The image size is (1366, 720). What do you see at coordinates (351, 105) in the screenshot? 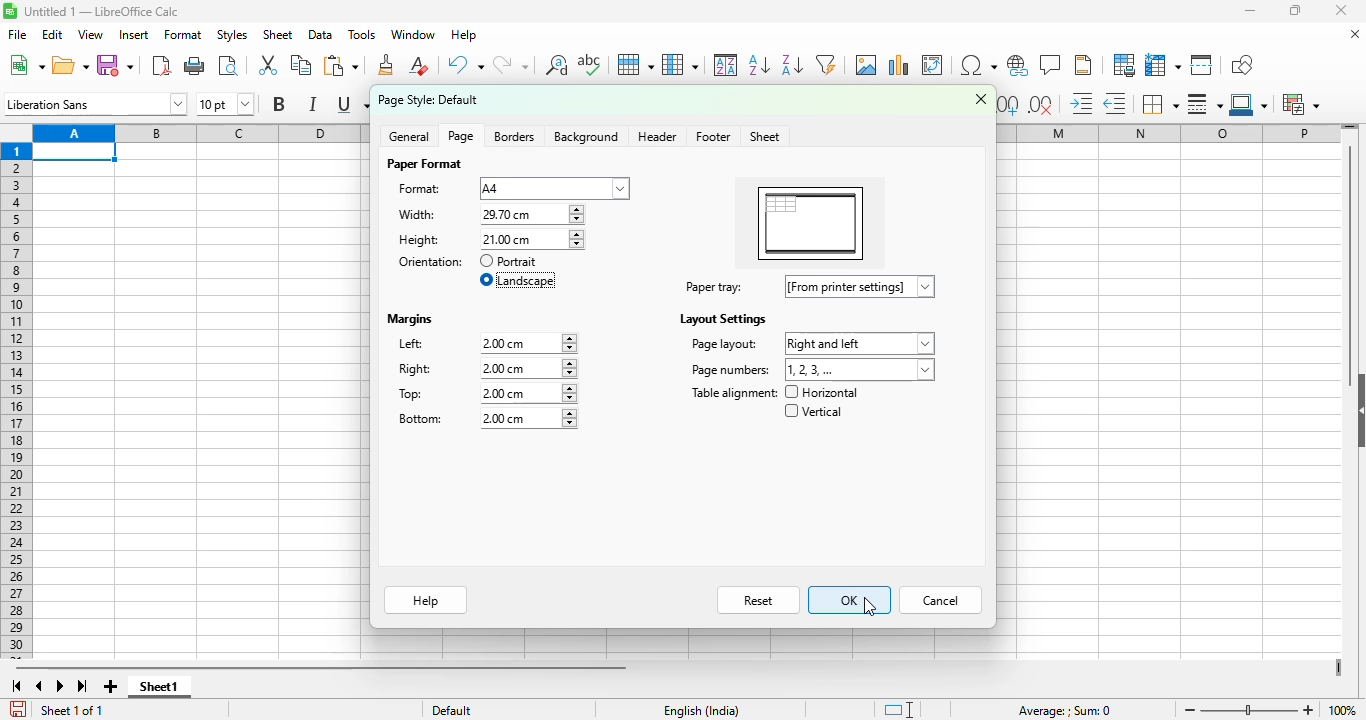
I see `underline` at bounding box center [351, 105].